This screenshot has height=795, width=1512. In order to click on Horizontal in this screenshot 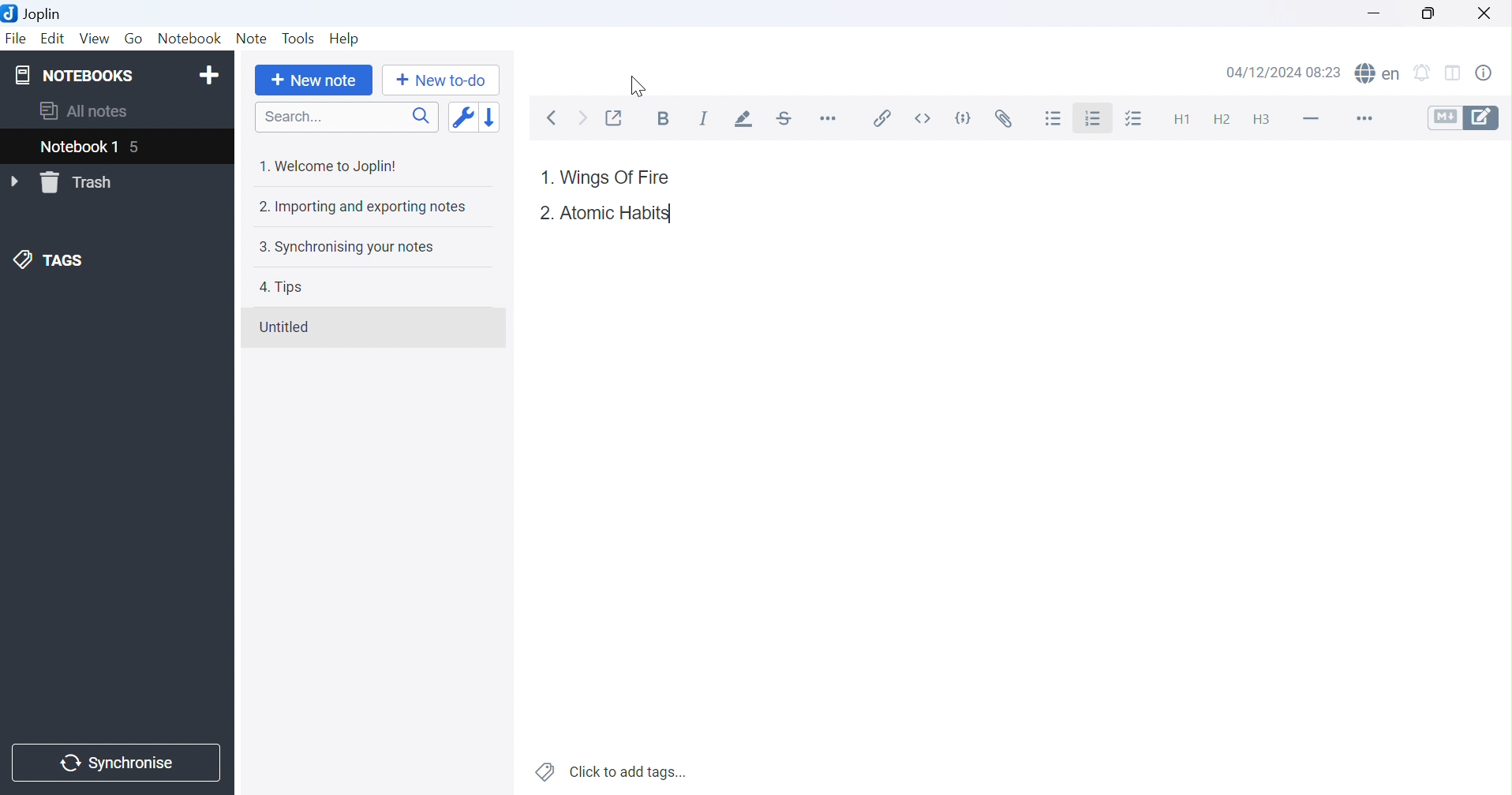, I will do `click(829, 121)`.